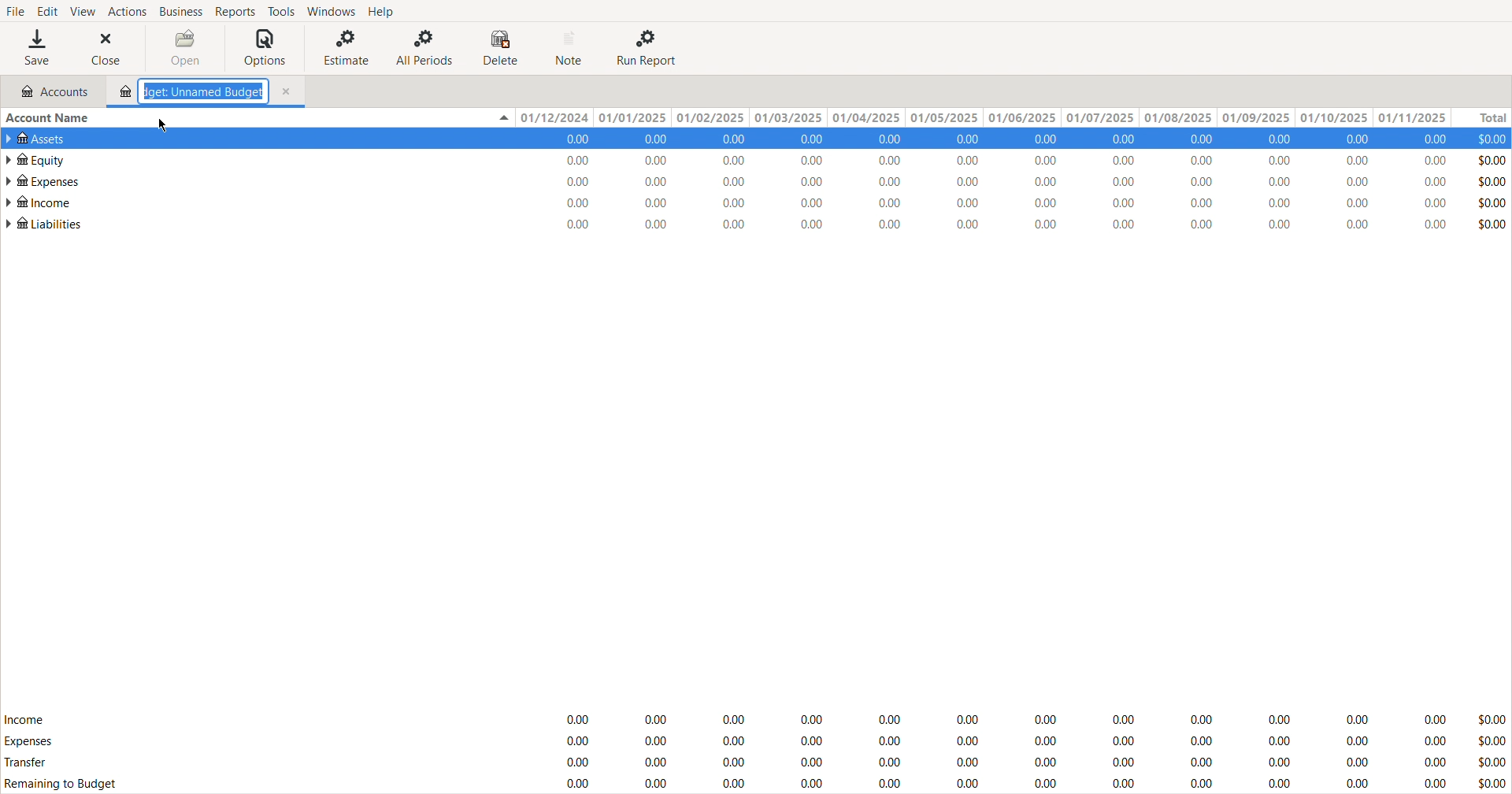 This screenshot has height=794, width=1512. I want to click on Cursor, so click(164, 127).